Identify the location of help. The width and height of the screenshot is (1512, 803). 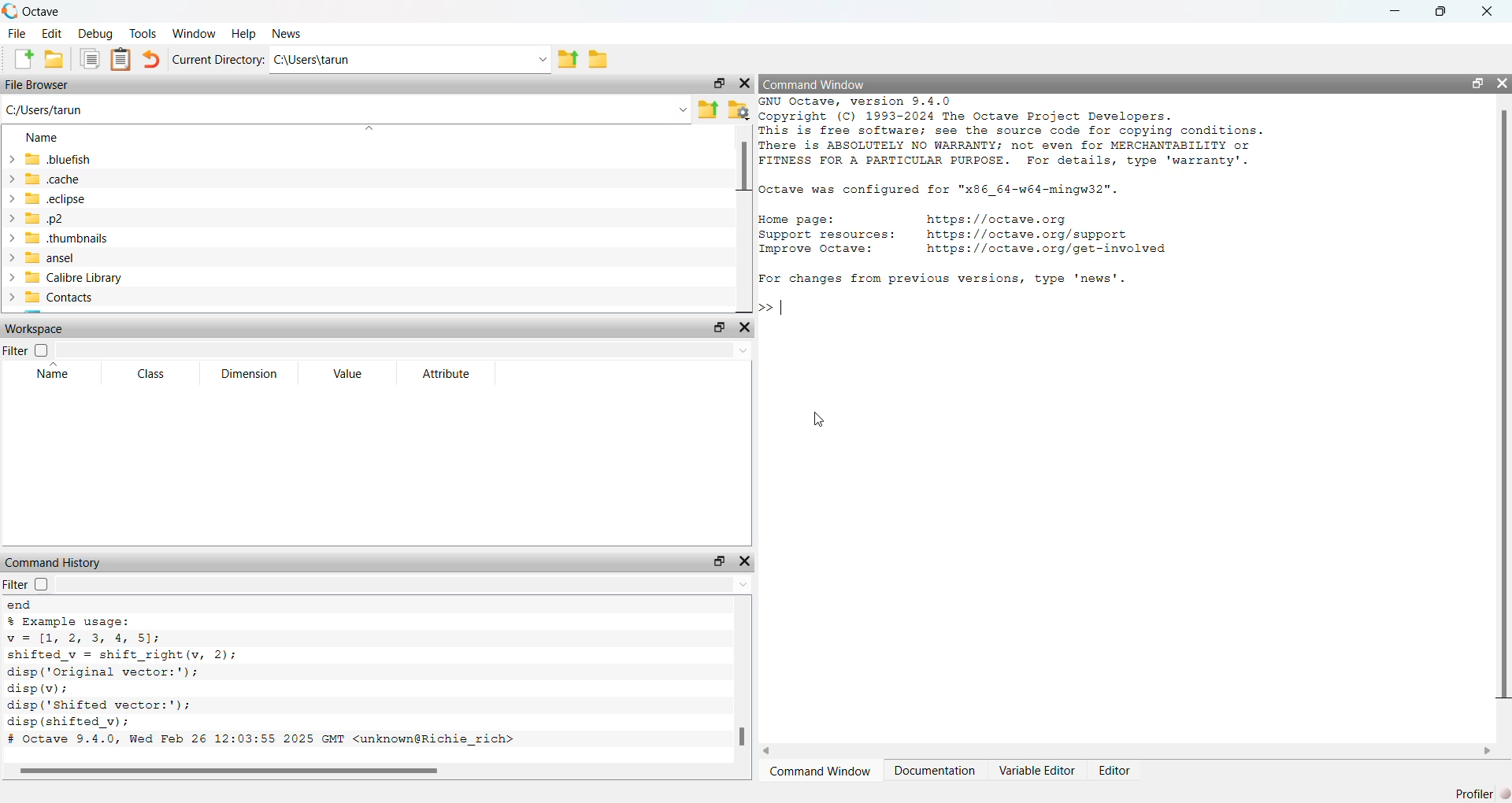
(243, 35).